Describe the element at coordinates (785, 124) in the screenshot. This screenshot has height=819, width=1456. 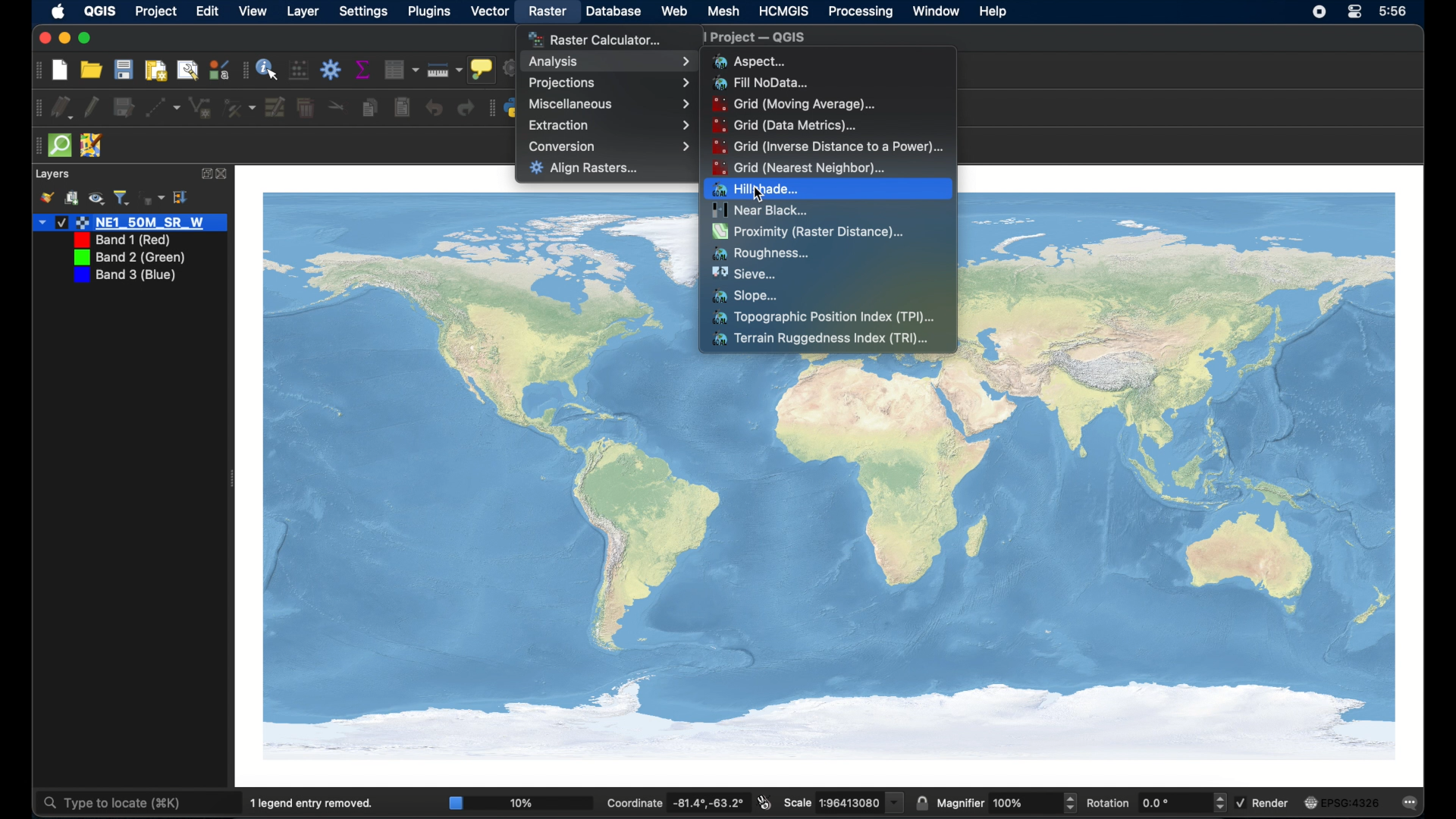
I see `grid (data metrics)` at that location.